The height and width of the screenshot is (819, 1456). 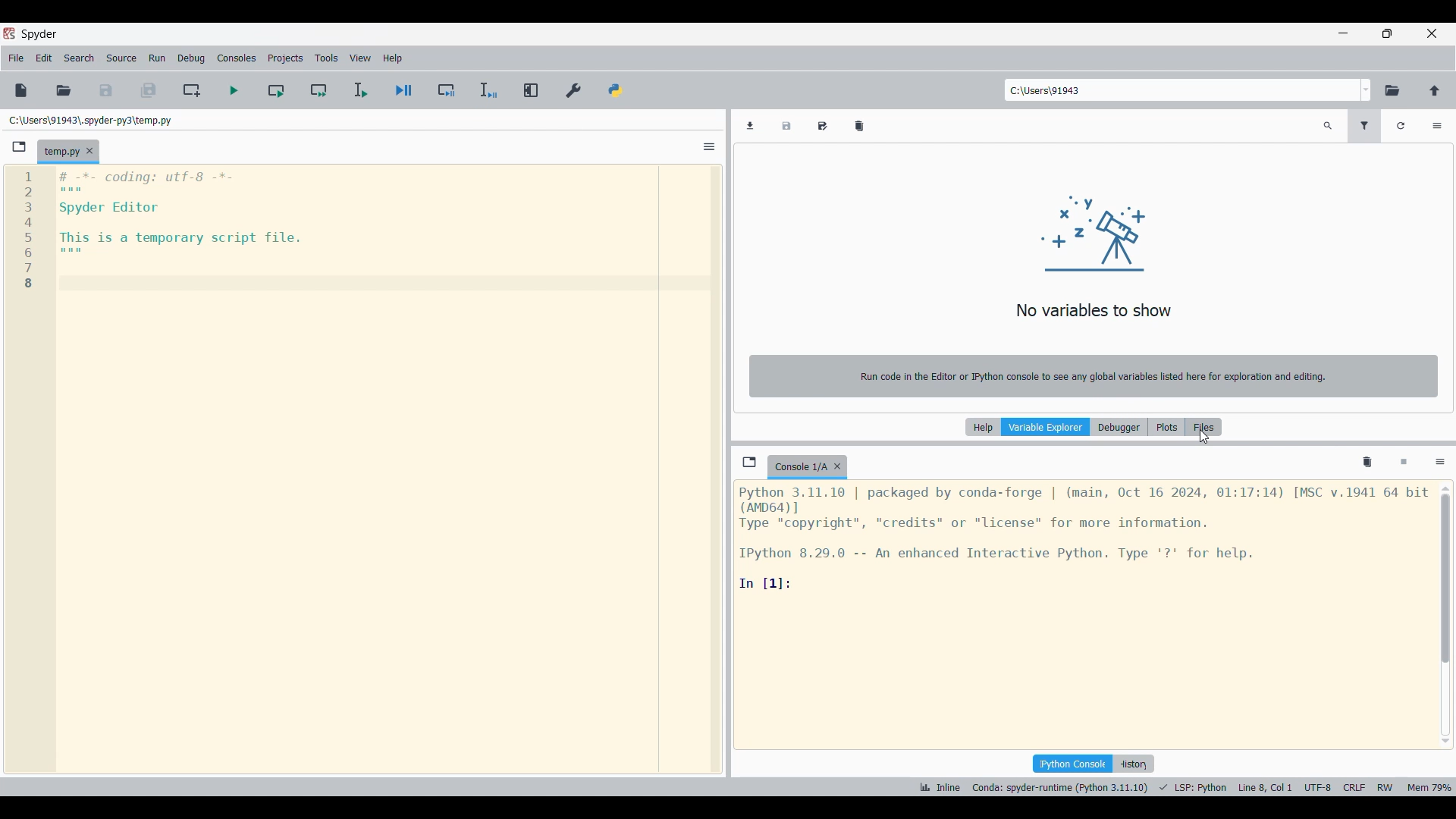 What do you see at coordinates (276, 89) in the screenshot?
I see `Run current cell` at bounding box center [276, 89].